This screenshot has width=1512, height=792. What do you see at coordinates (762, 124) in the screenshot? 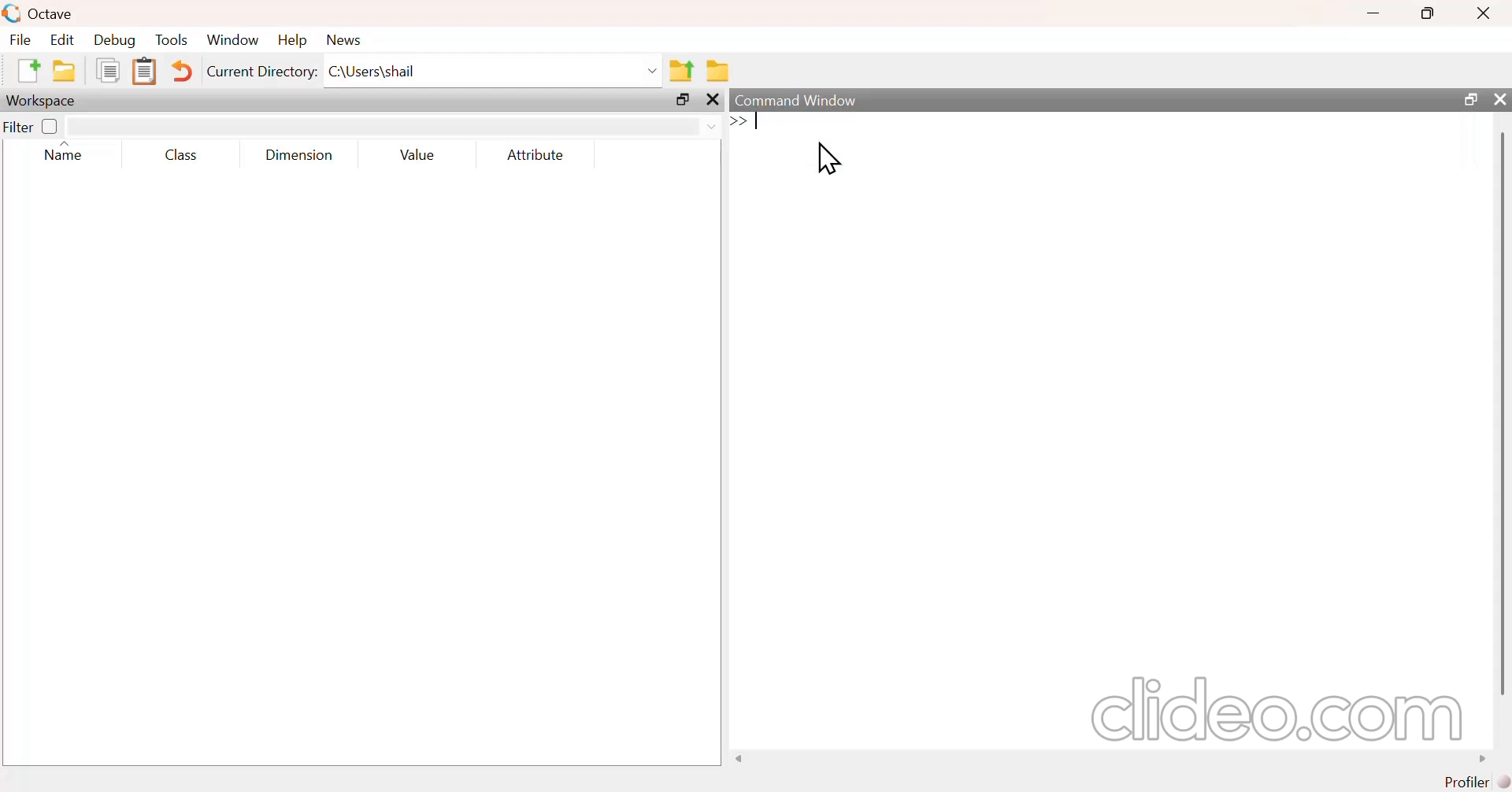
I see `typing cursor` at bounding box center [762, 124].